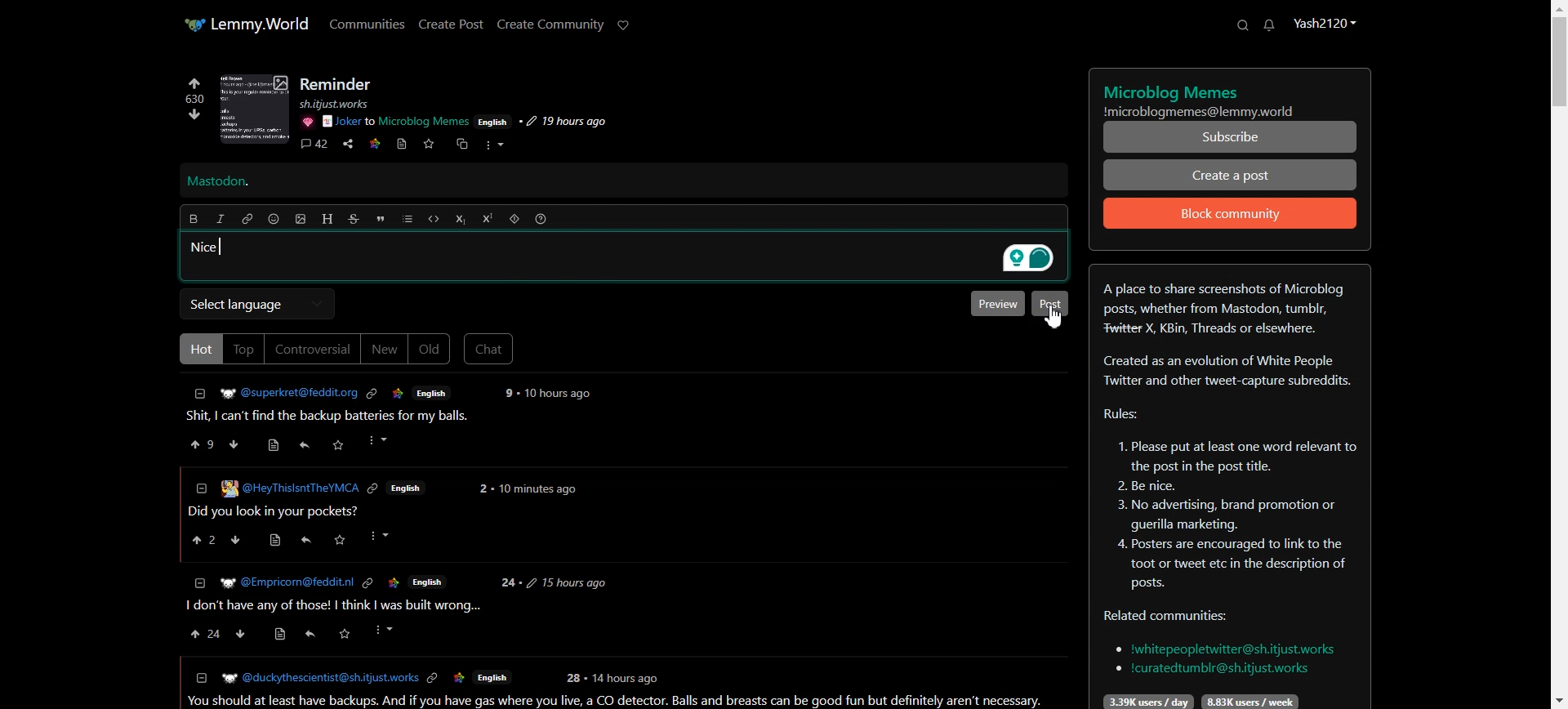 Image resolution: width=1568 pixels, height=709 pixels. I want to click on Hyperlink, so click(247, 219).